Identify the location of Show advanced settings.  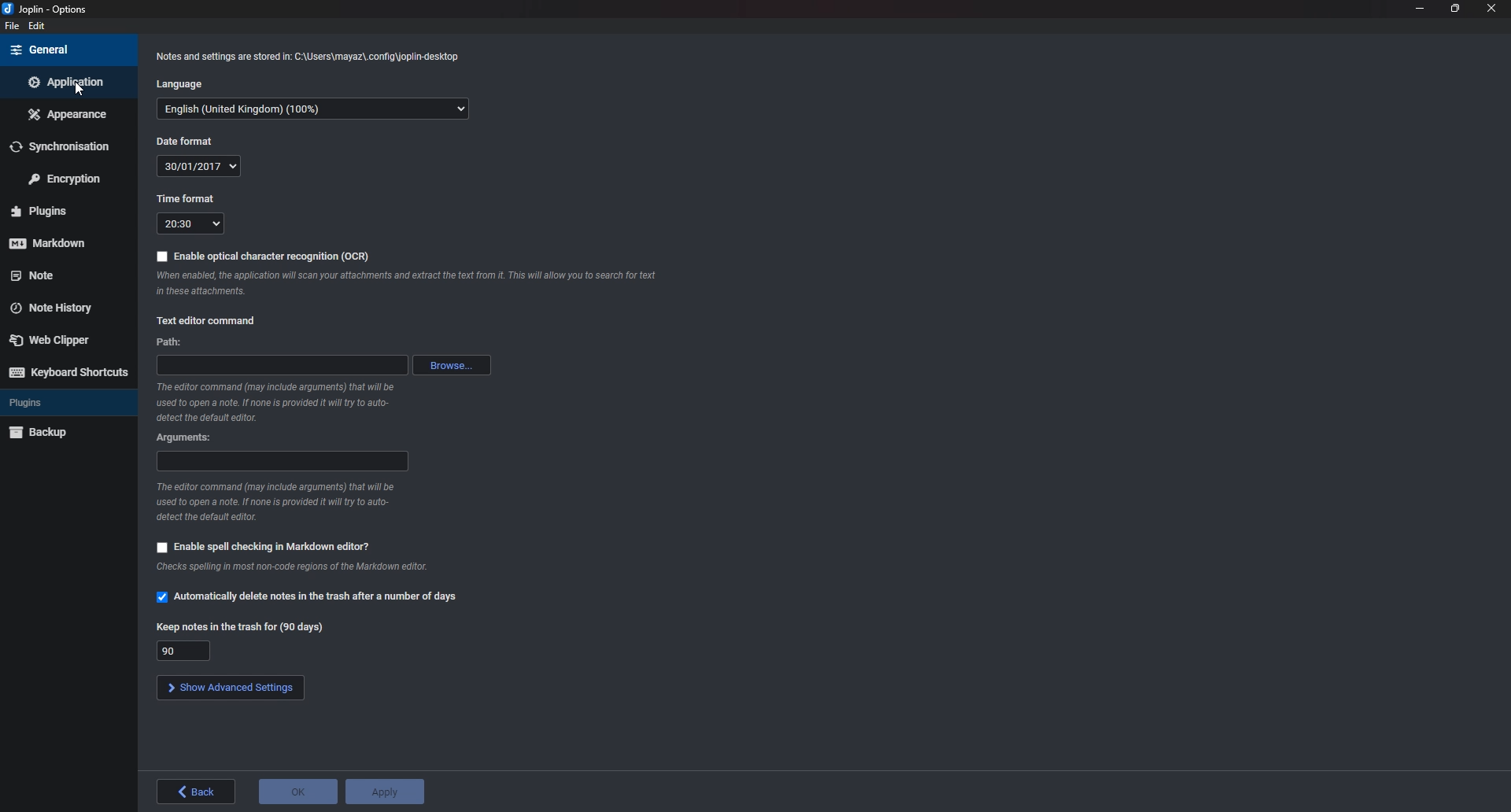
(229, 687).